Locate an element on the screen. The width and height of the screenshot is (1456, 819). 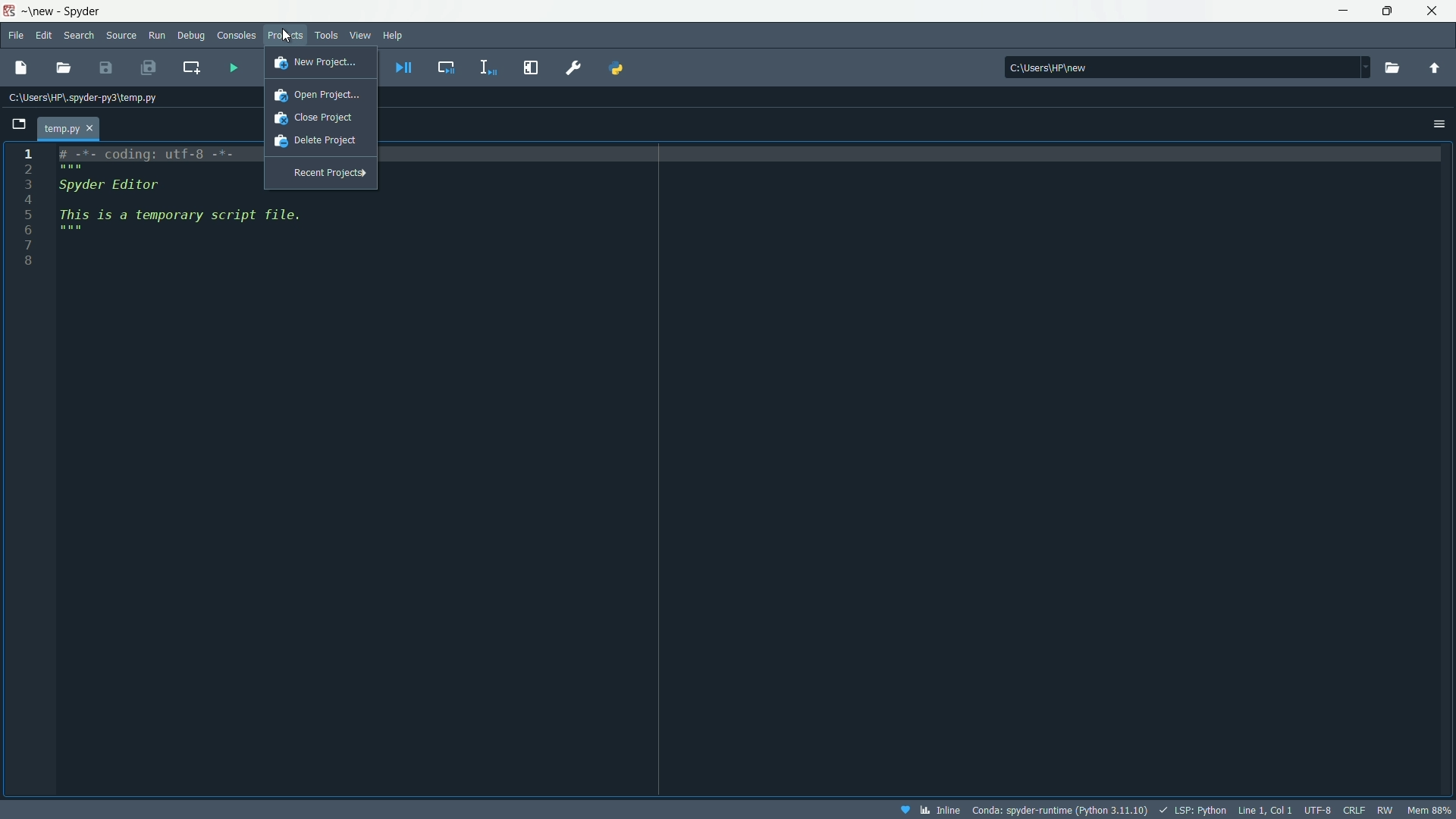
Debug selection is located at coordinates (491, 67).